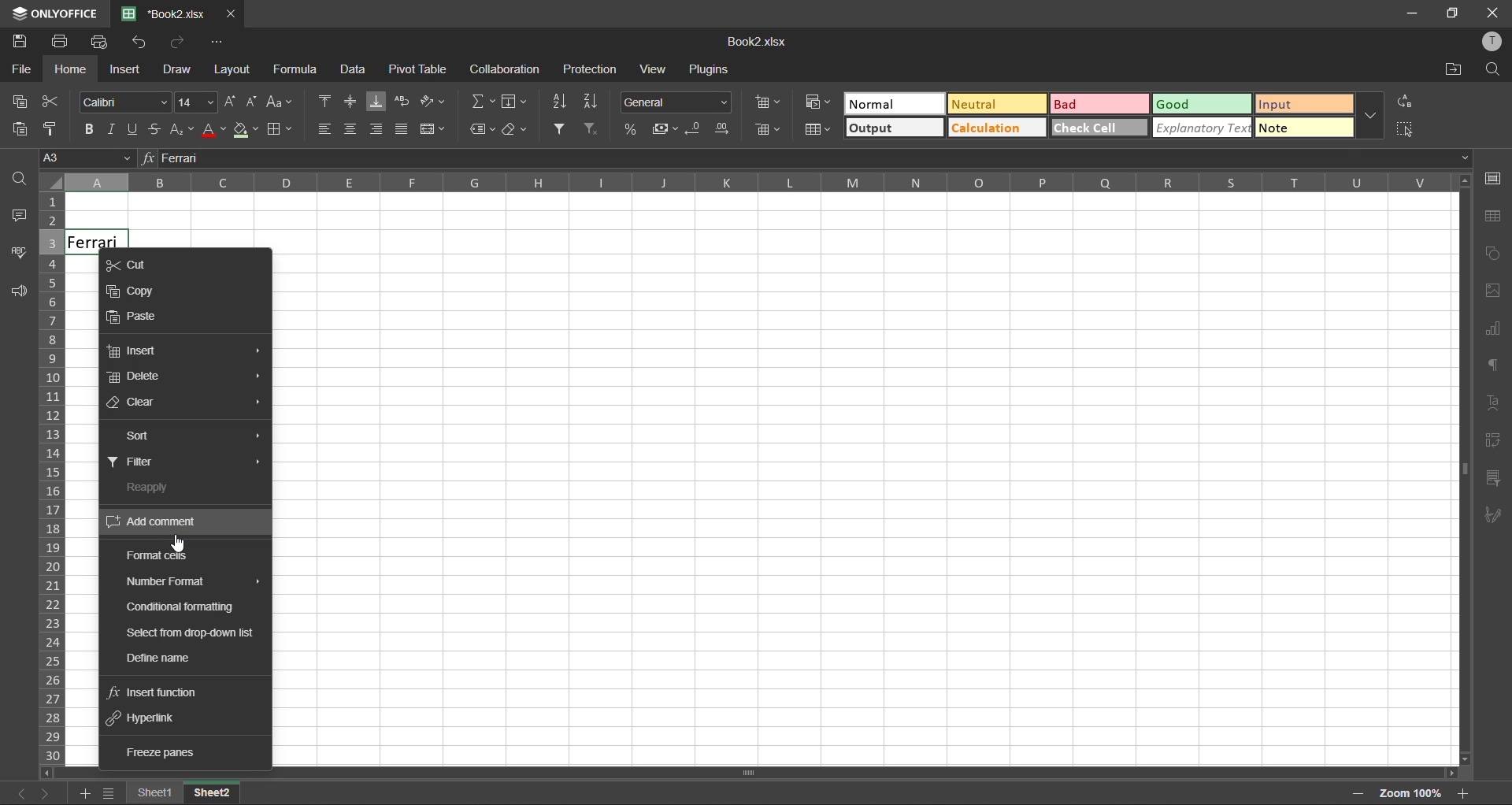 This screenshot has height=805, width=1512. I want to click on borders, so click(280, 130).